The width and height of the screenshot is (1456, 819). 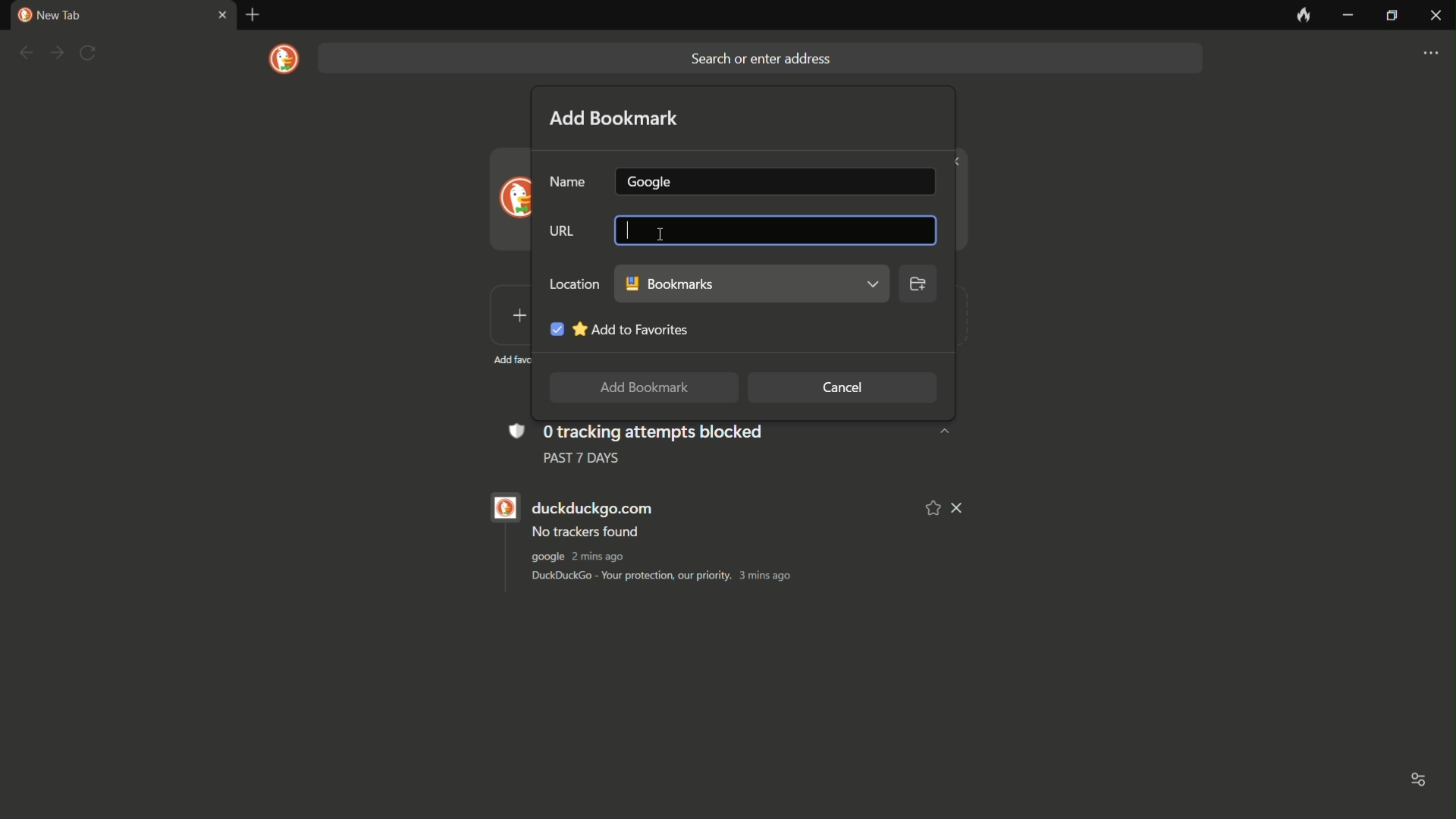 What do you see at coordinates (1391, 17) in the screenshot?
I see `maximize or restore` at bounding box center [1391, 17].